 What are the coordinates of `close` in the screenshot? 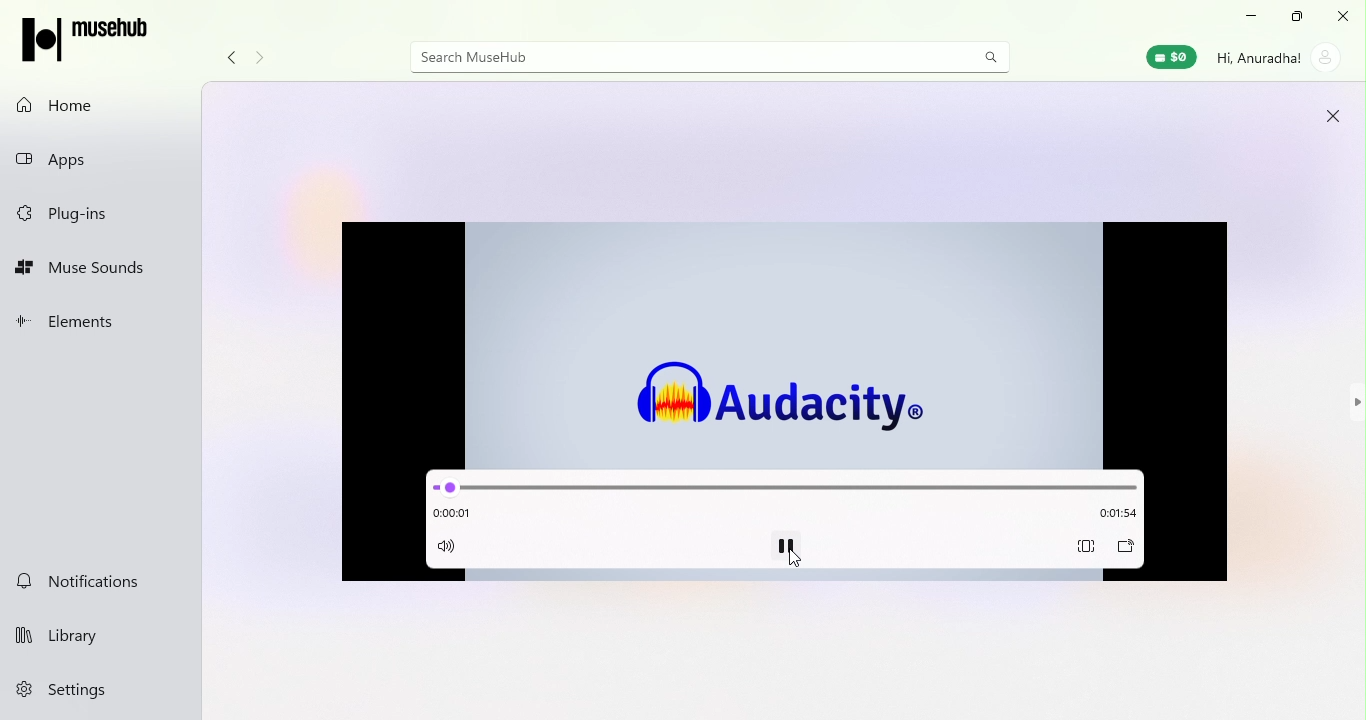 It's located at (1344, 16).